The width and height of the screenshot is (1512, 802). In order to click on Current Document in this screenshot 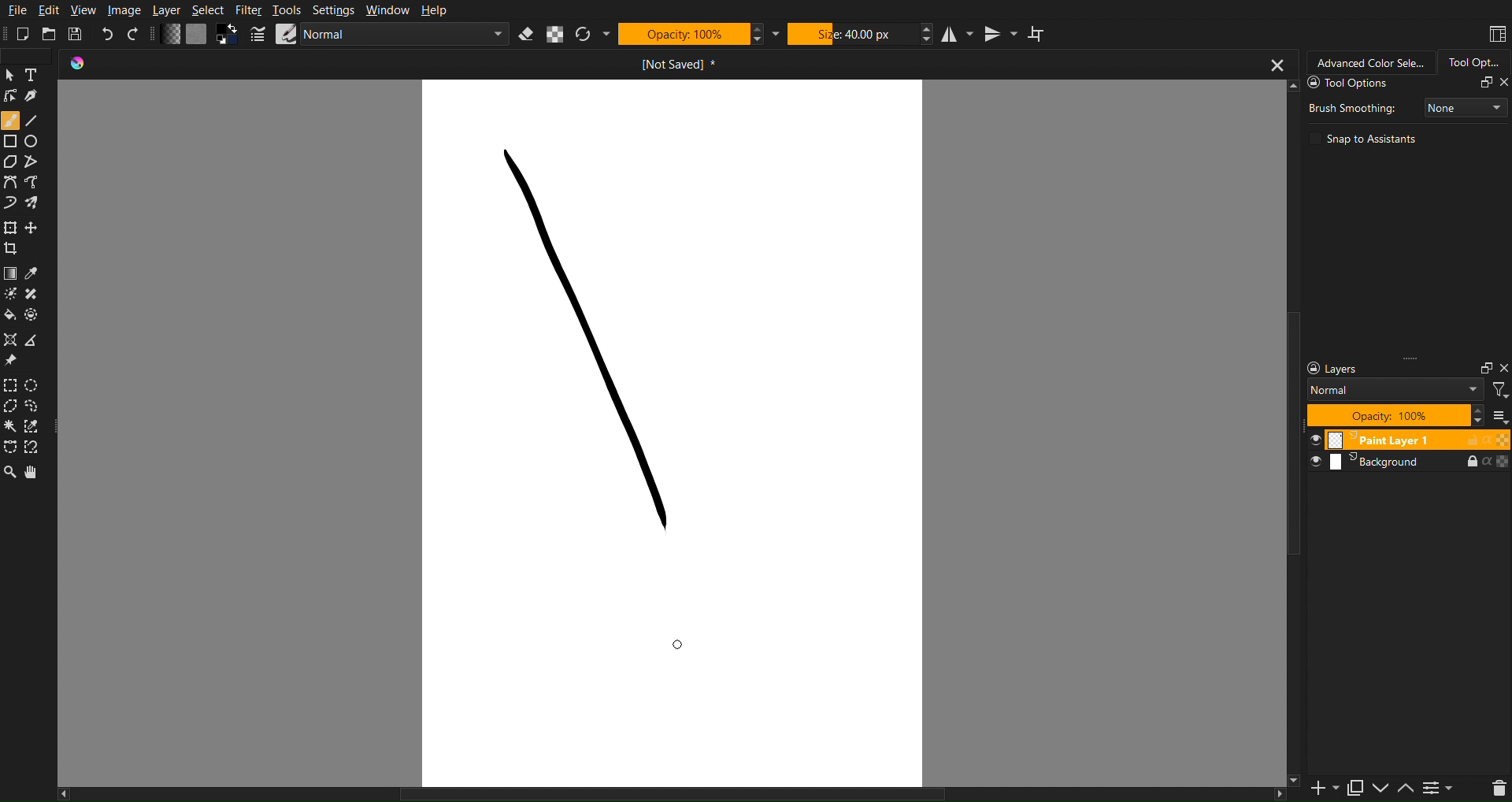, I will do `click(678, 64)`.